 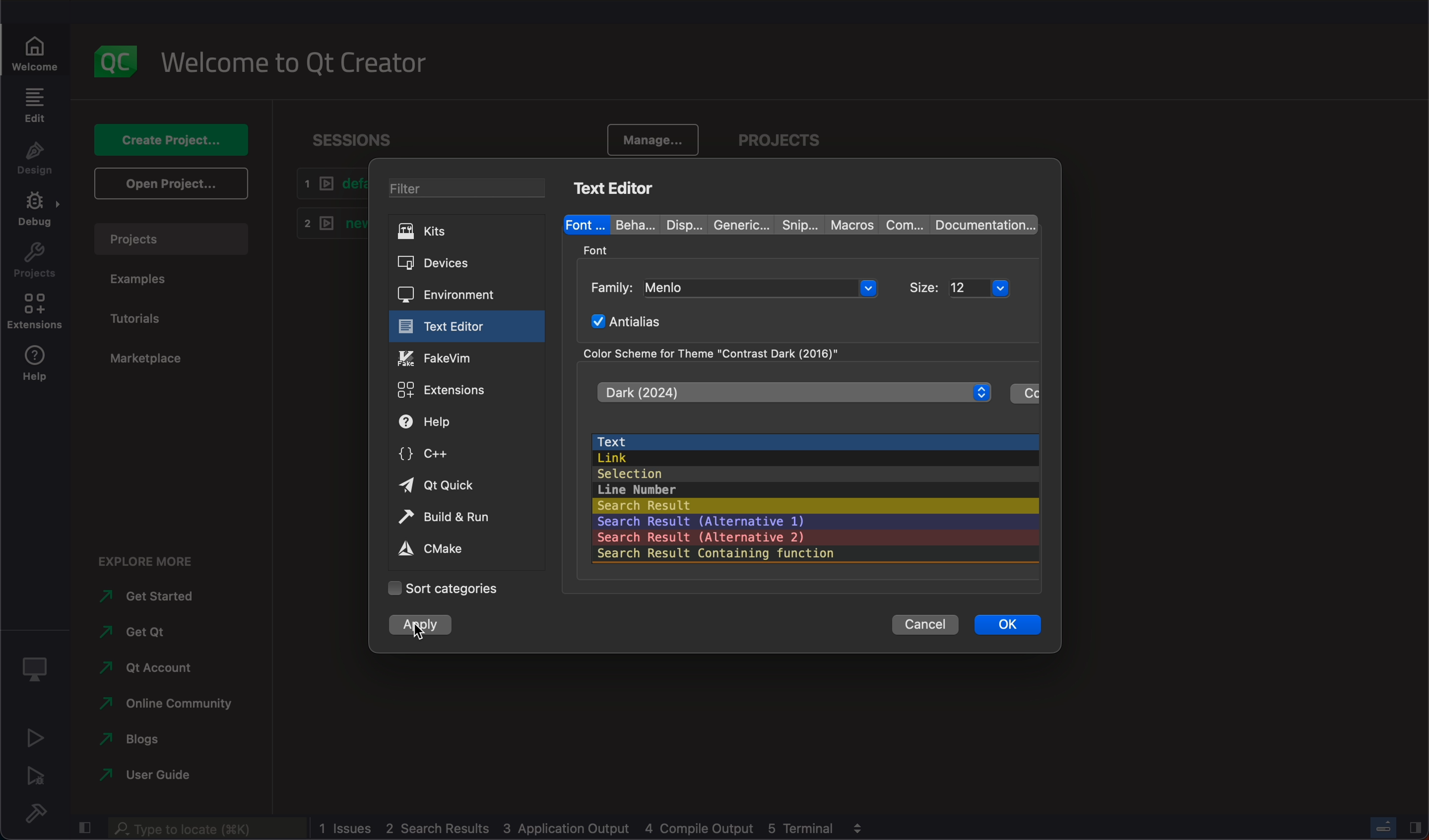 What do you see at coordinates (139, 634) in the screenshot?
I see `get Qt` at bounding box center [139, 634].